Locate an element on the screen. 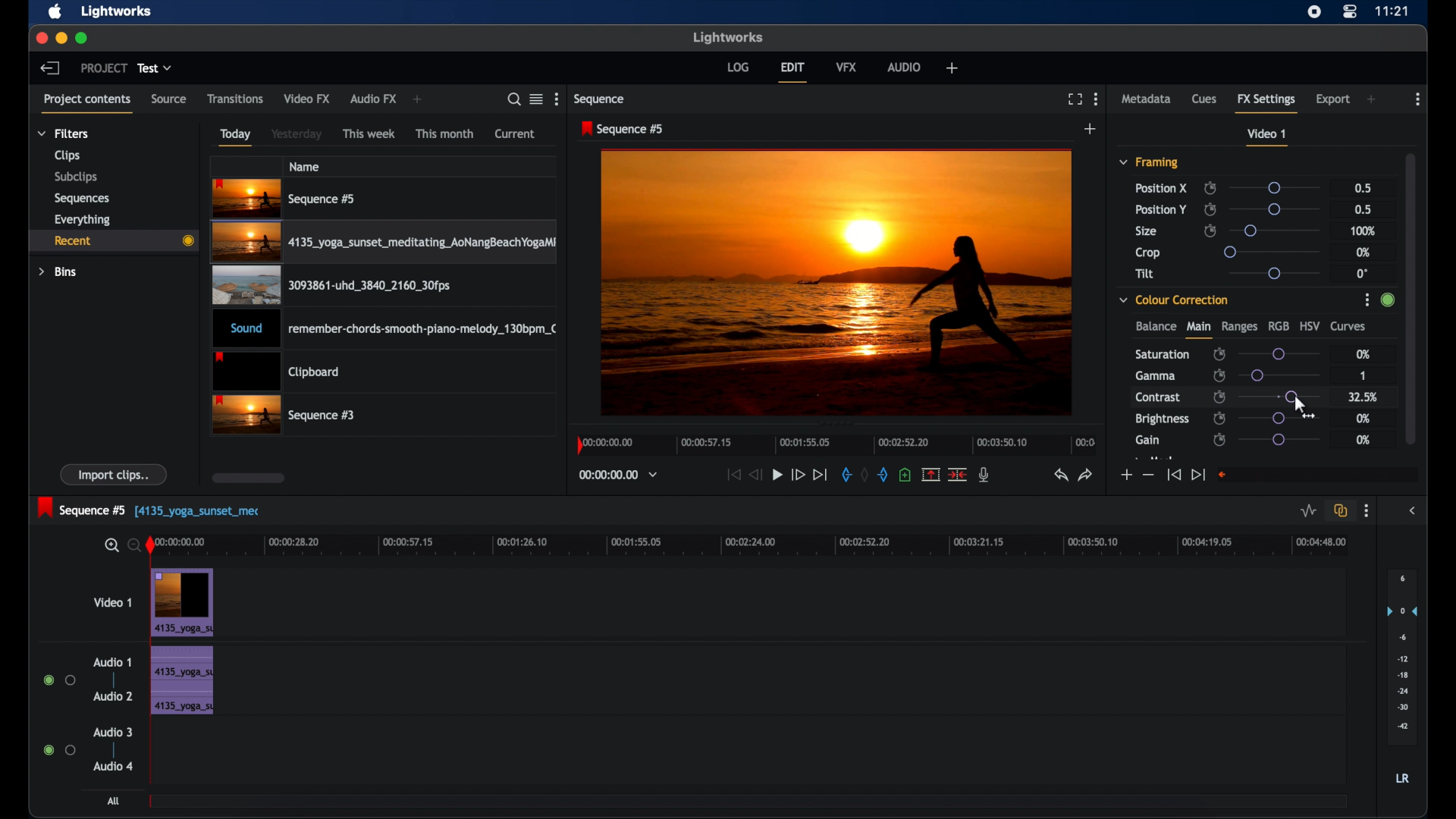 The height and width of the screenshot is (819, 1456). 0% is located at coordinates (1363, 440).